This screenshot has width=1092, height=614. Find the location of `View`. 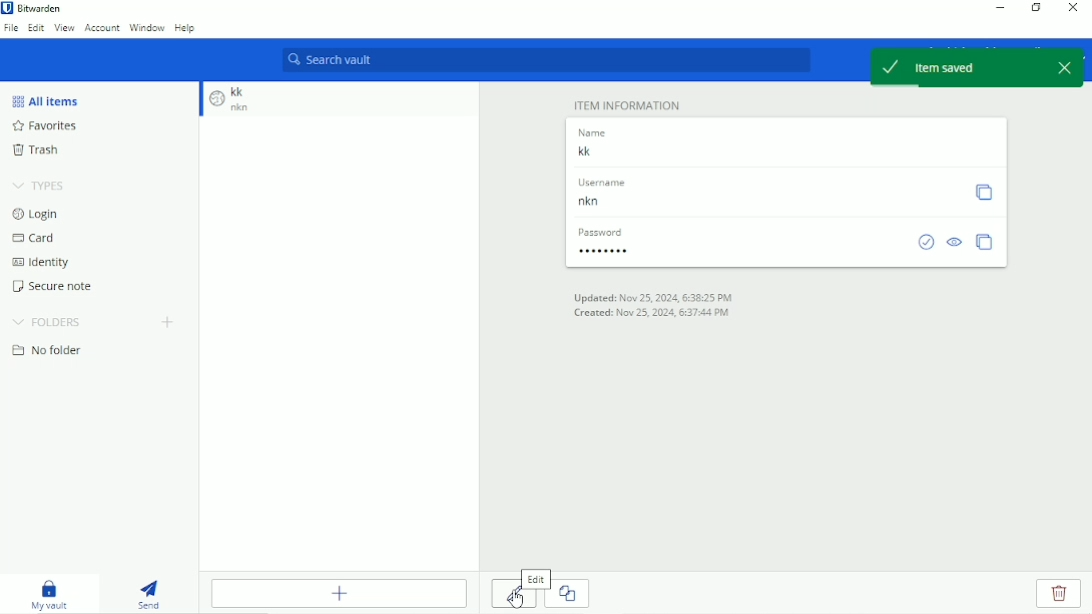

View is located at coordinates (64, 28).